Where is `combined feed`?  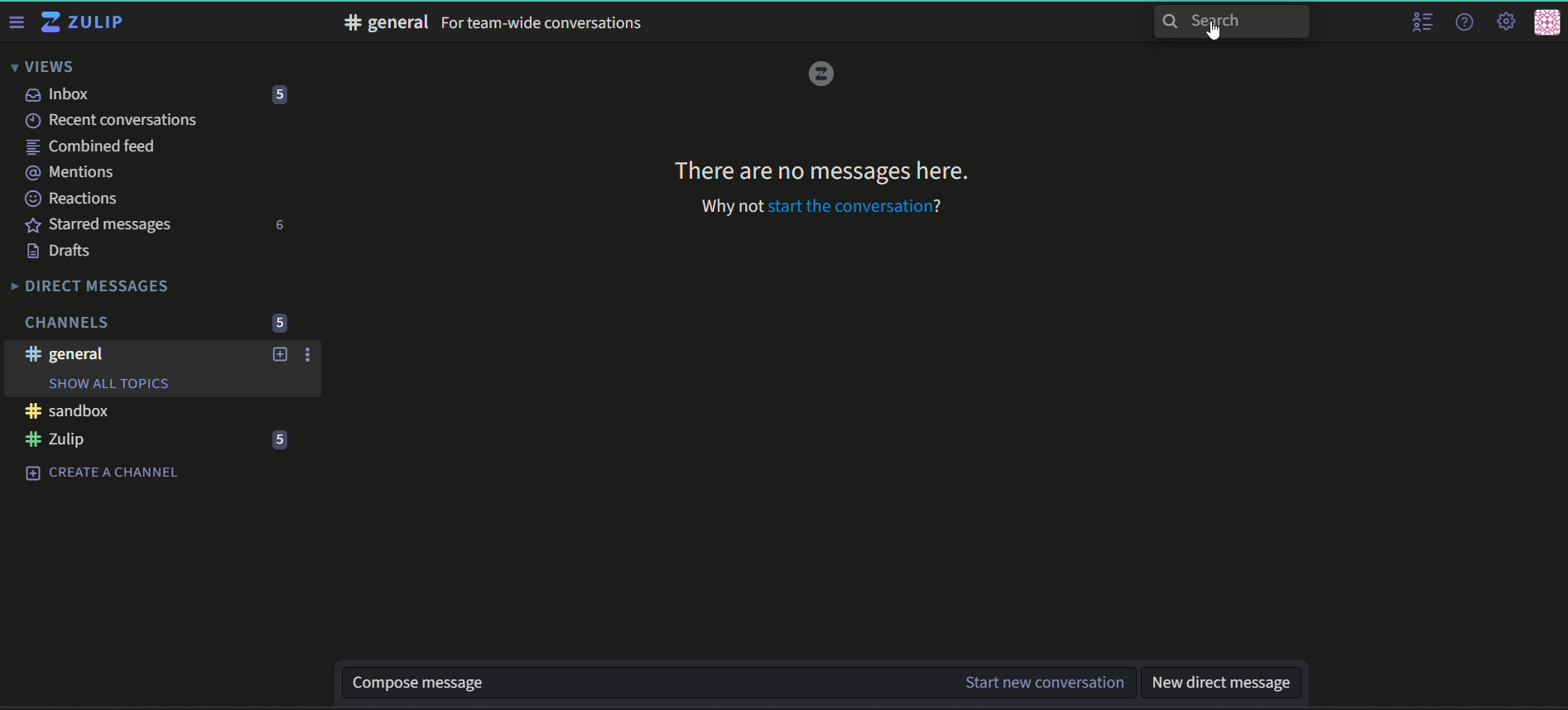
combined feed is located at coordinates (90, 146).